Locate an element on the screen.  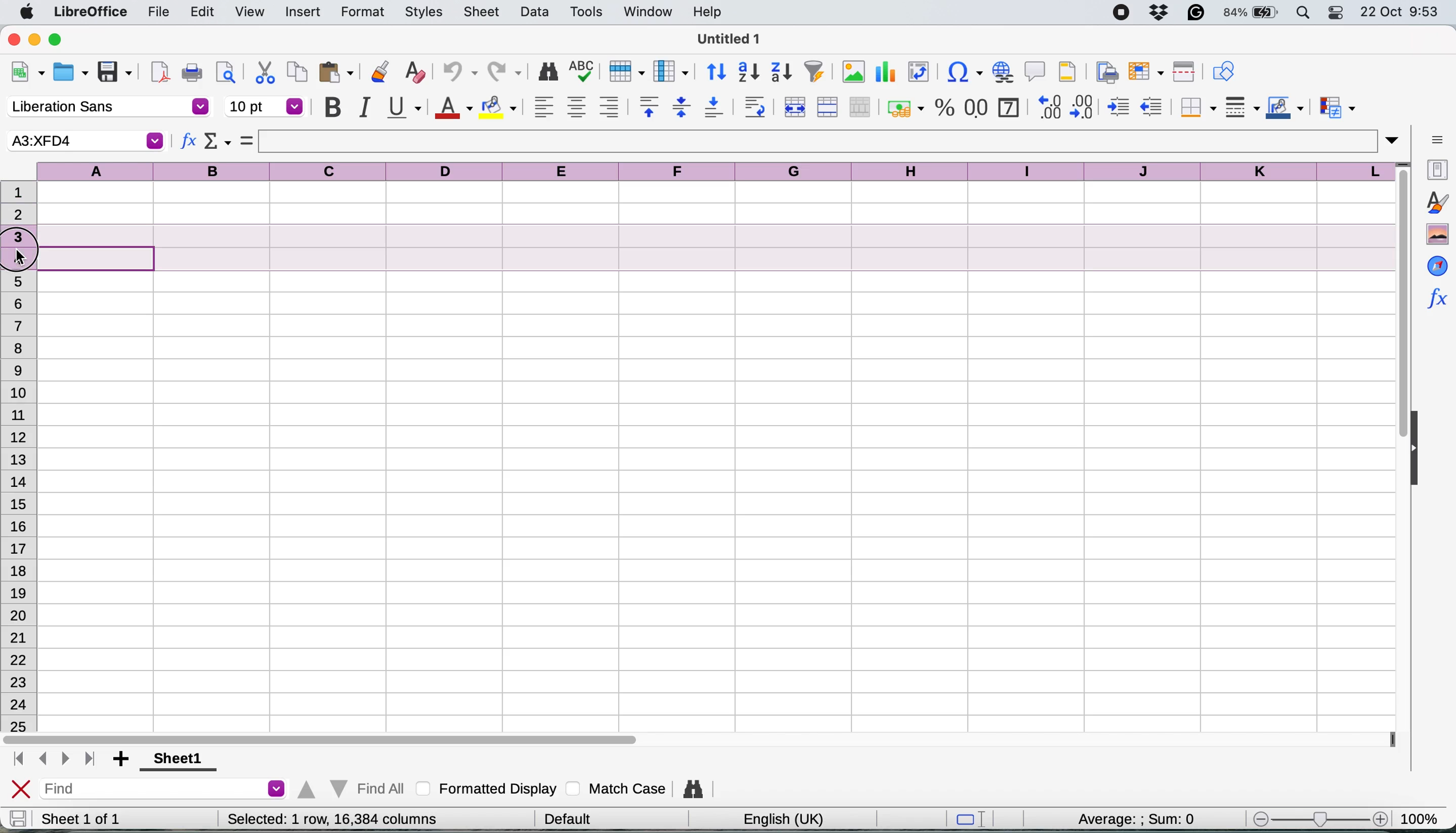
dropbox is located at coordinates (1163, 12).